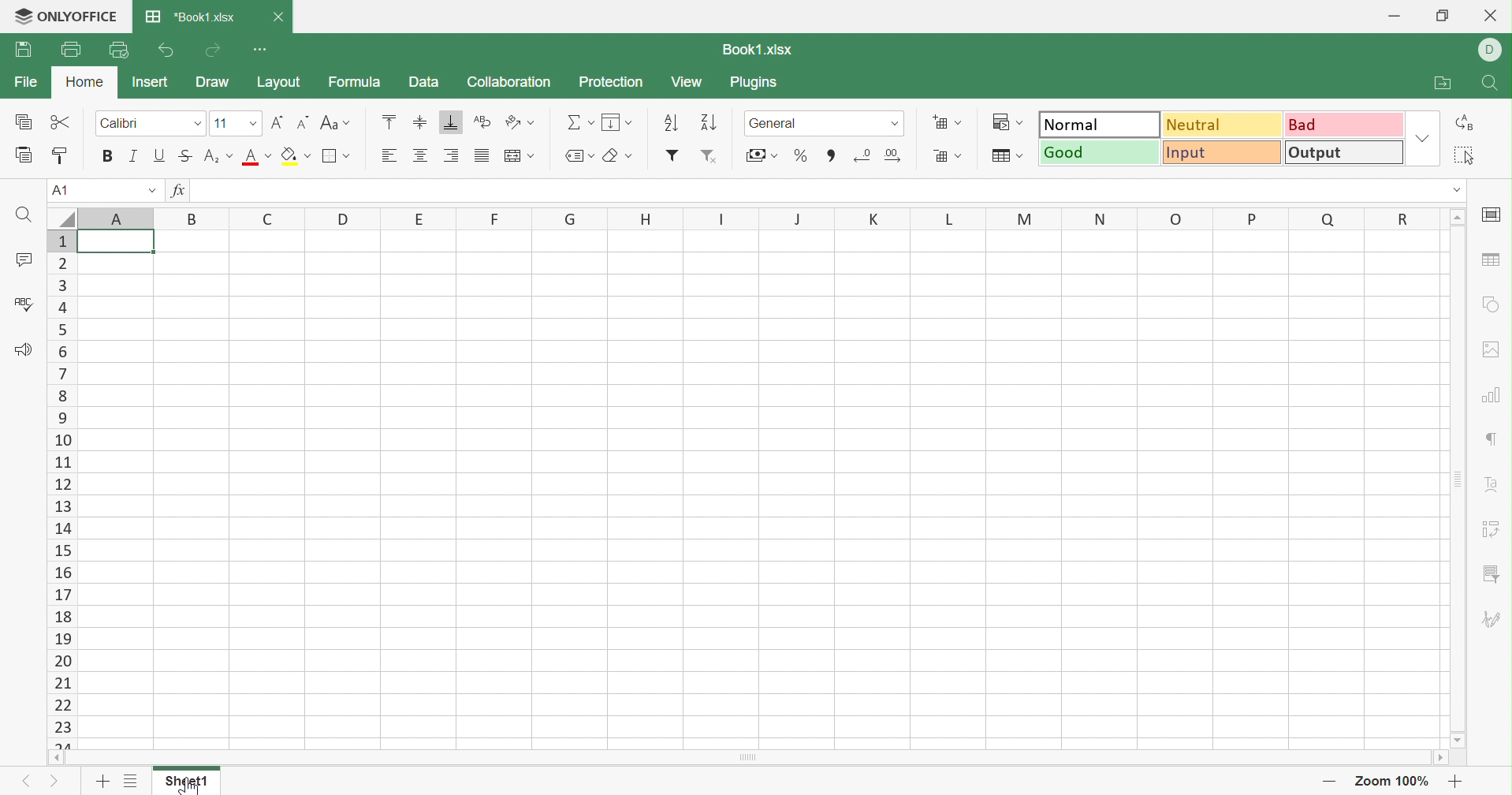  What do you see at coordinates (338, 121) in the screenshot?
I see `Change case` at bounding box center [338, 121].